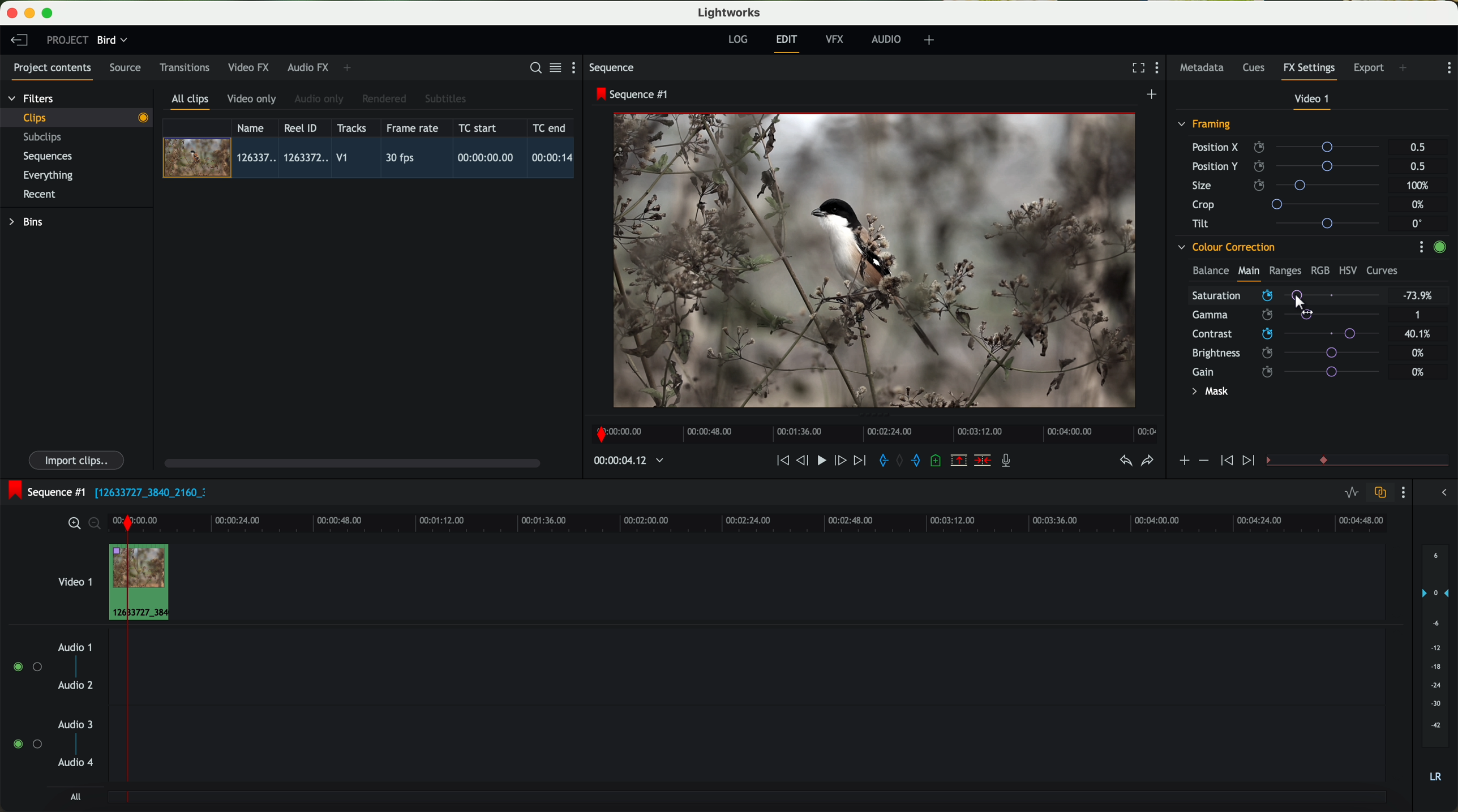 Image resolution: width=1458 pixels, height=812 pixels. I want to click on Reel ID, so click(303, 127).